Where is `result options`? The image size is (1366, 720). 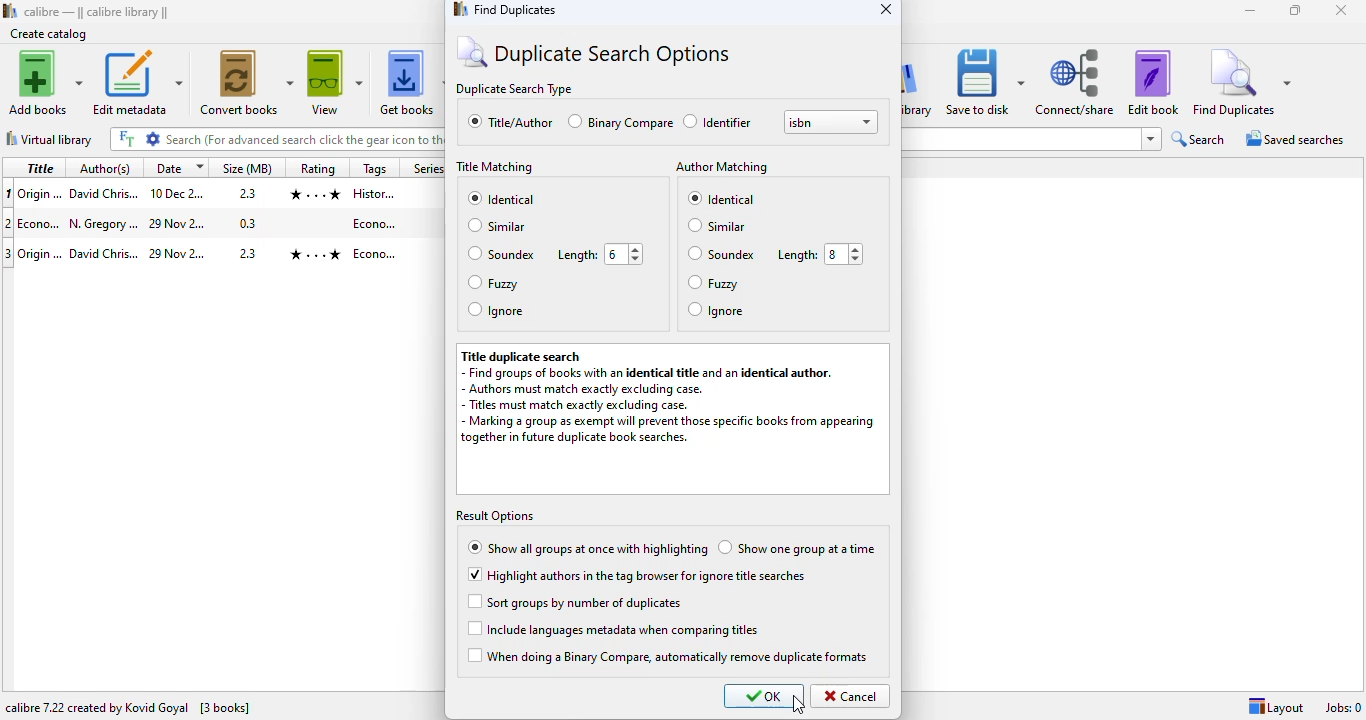 result options is located at coordinates (495, 515).